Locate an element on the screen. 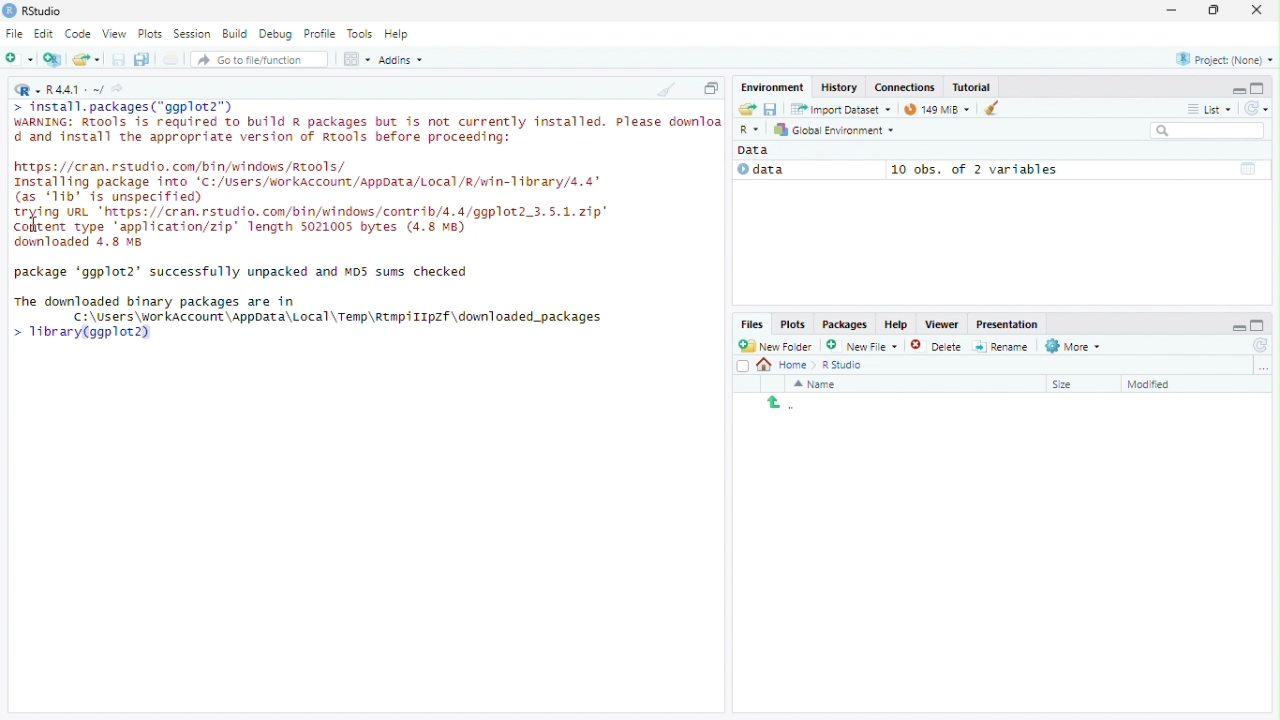 The height and width of the screenshot is (720, 1280). New Folder is located at coordinates (778, 346).